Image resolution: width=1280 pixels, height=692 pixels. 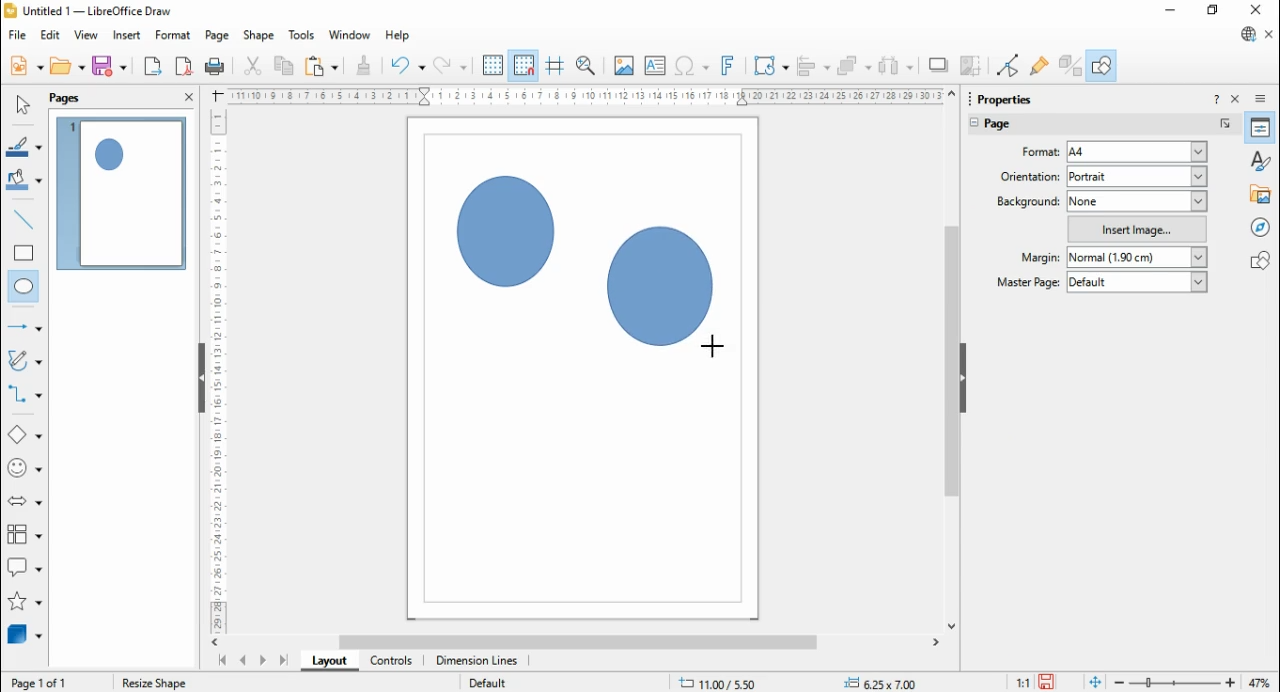 What do you see at coordinates (555, 66) in the screenshot?
I see `helplines while moving` at bounding box center [555, 66].